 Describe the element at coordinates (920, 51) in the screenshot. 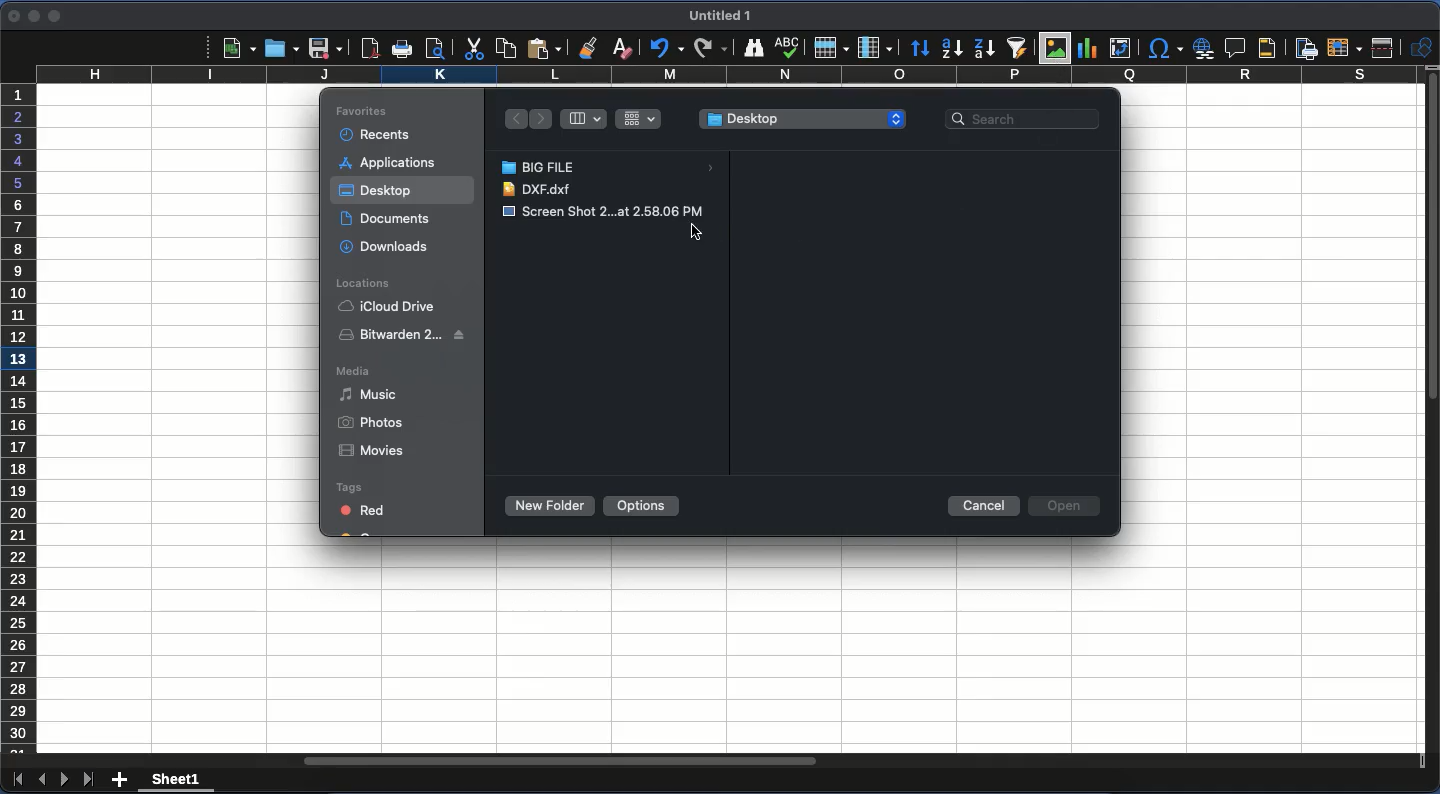

I see `sort` at that location.